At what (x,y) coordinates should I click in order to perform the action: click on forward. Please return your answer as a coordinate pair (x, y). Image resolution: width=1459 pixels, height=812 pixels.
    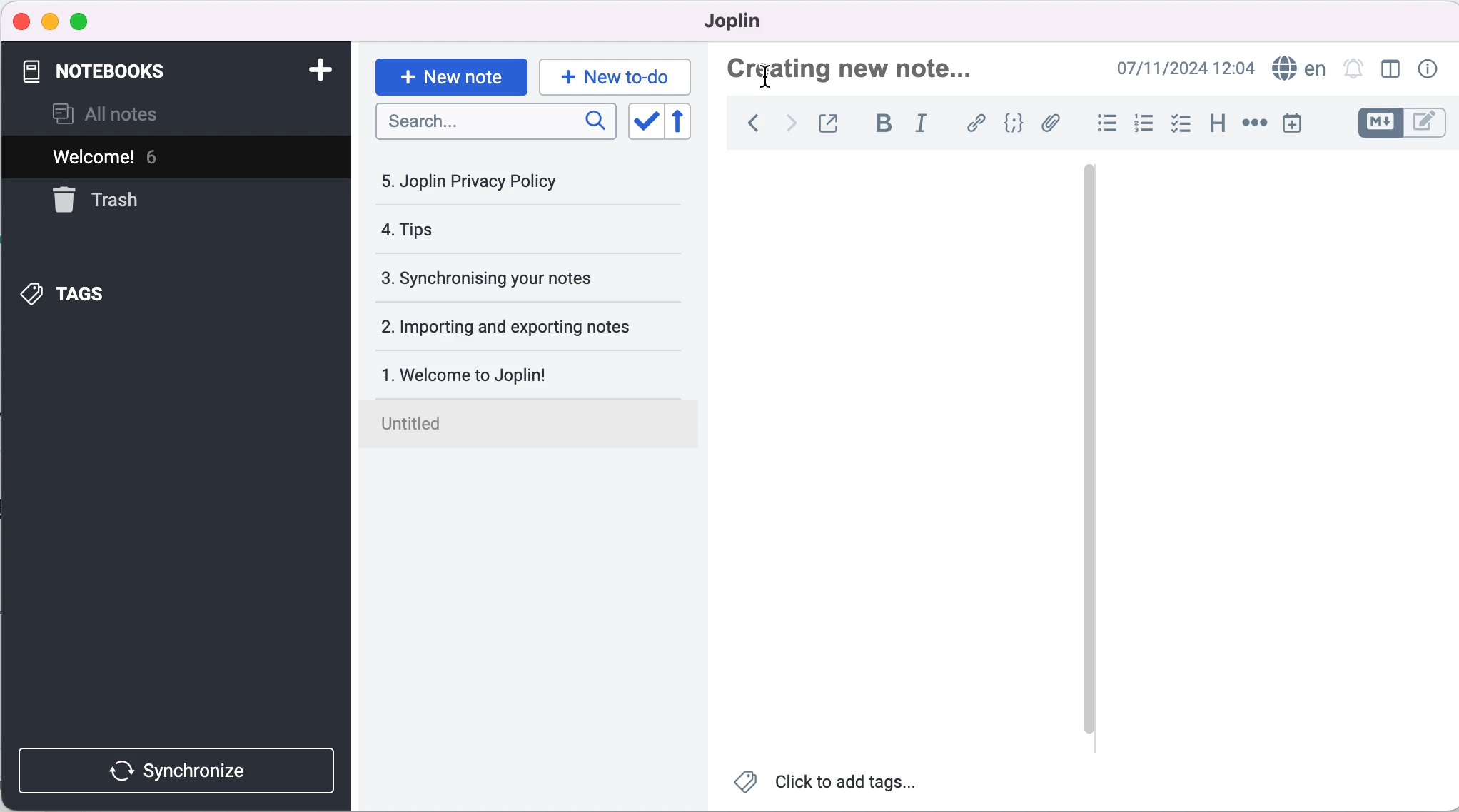
    Looking at the image, I should click on (792, 123).